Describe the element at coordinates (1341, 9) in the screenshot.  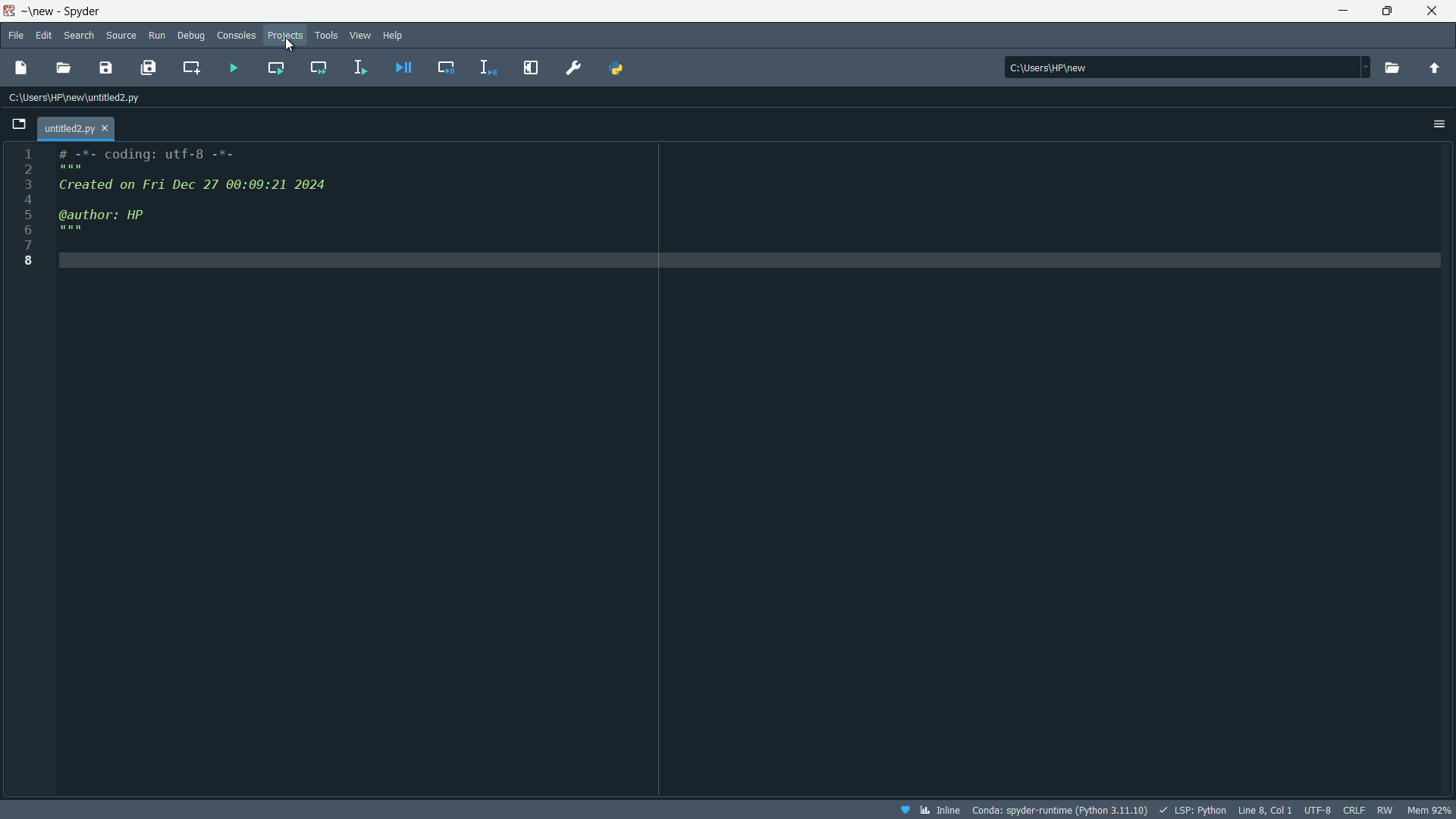
I see `minimize` at that location.